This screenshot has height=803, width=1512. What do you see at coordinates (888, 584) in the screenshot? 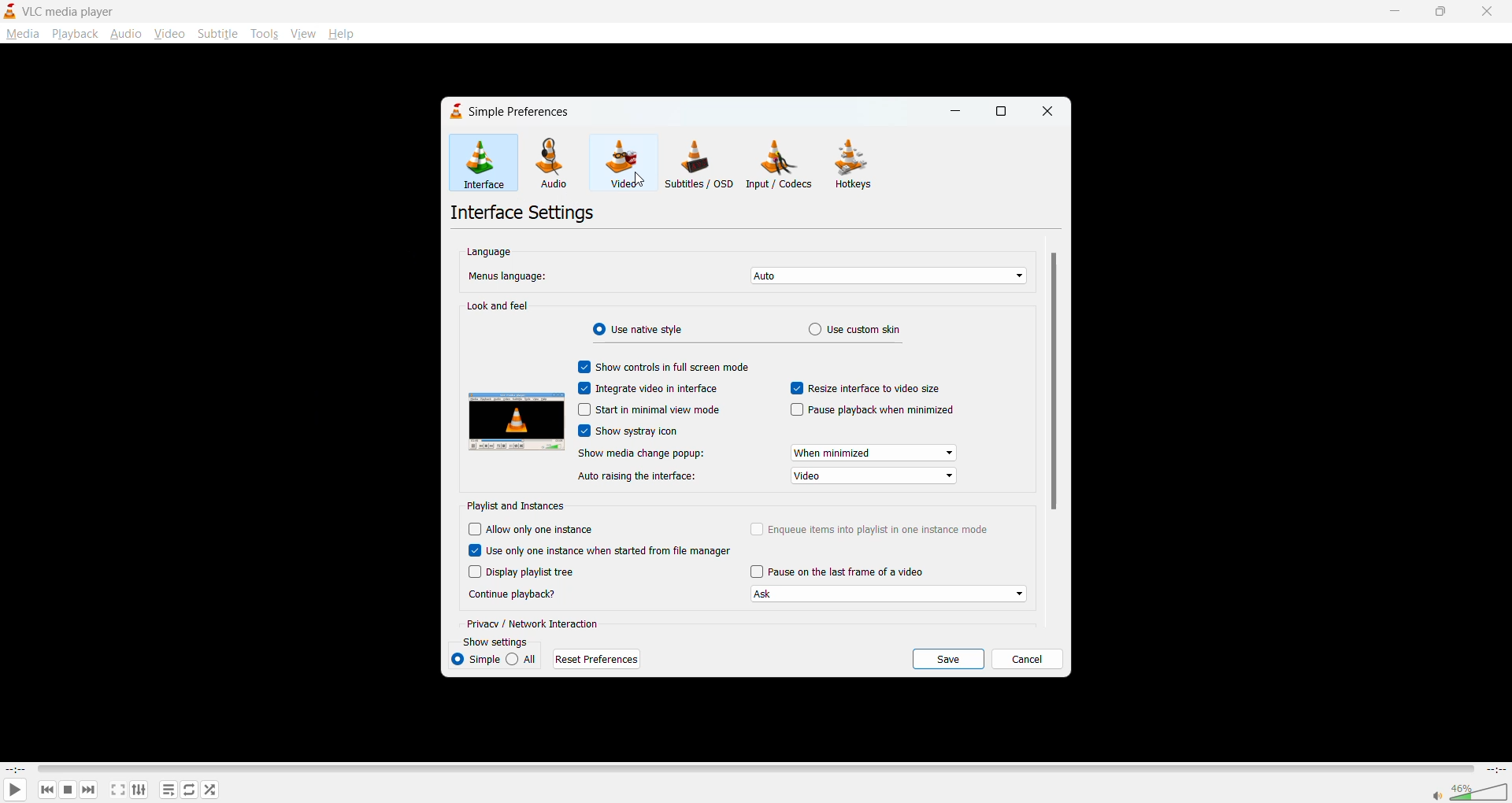
I see `pursue on last frame of a video` at bounding box center [888, 584].